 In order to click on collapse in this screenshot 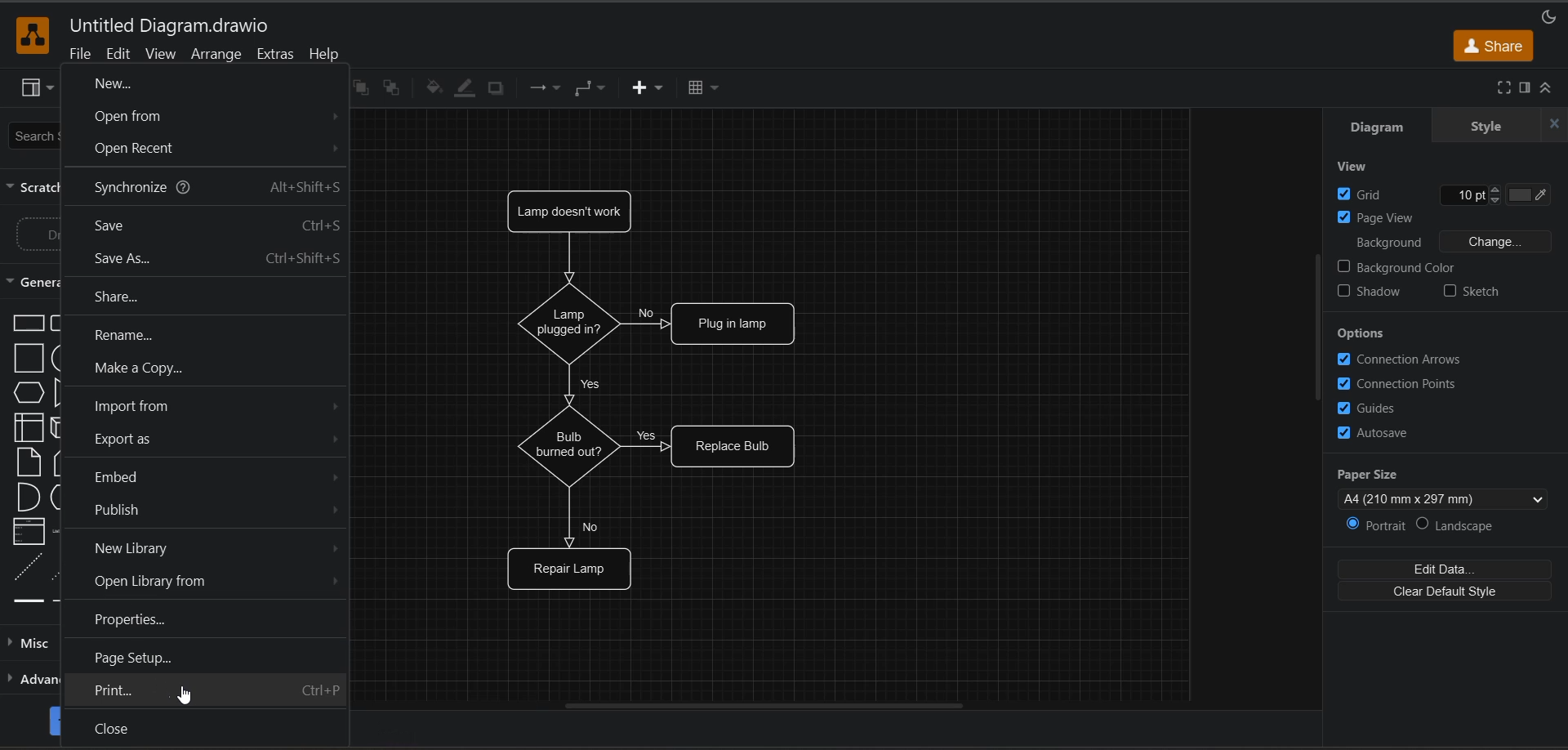, I will do `click(1557, 88)`.